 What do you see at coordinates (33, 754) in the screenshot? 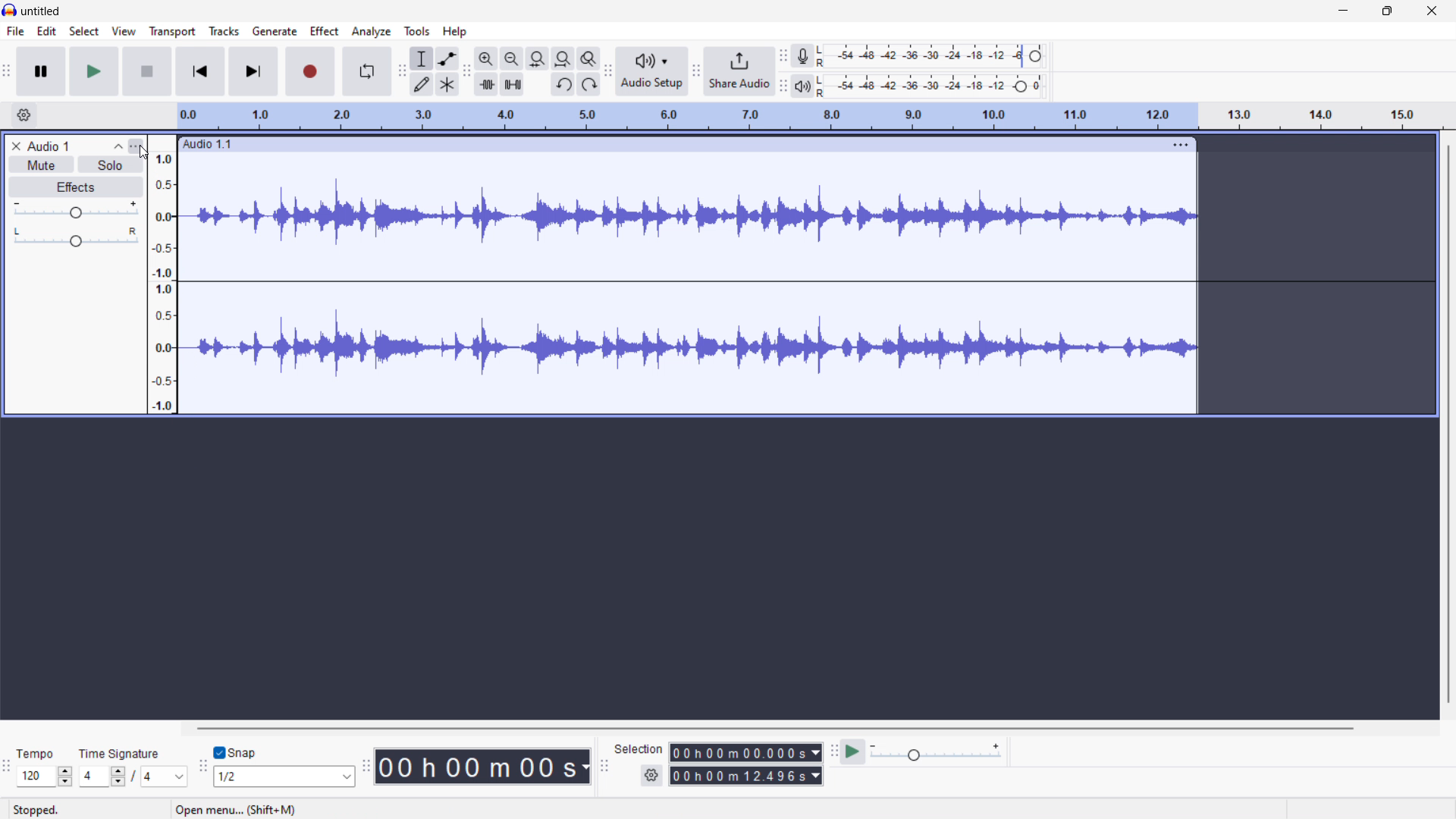
I see `Tempo` at bounding box center [33, 754].